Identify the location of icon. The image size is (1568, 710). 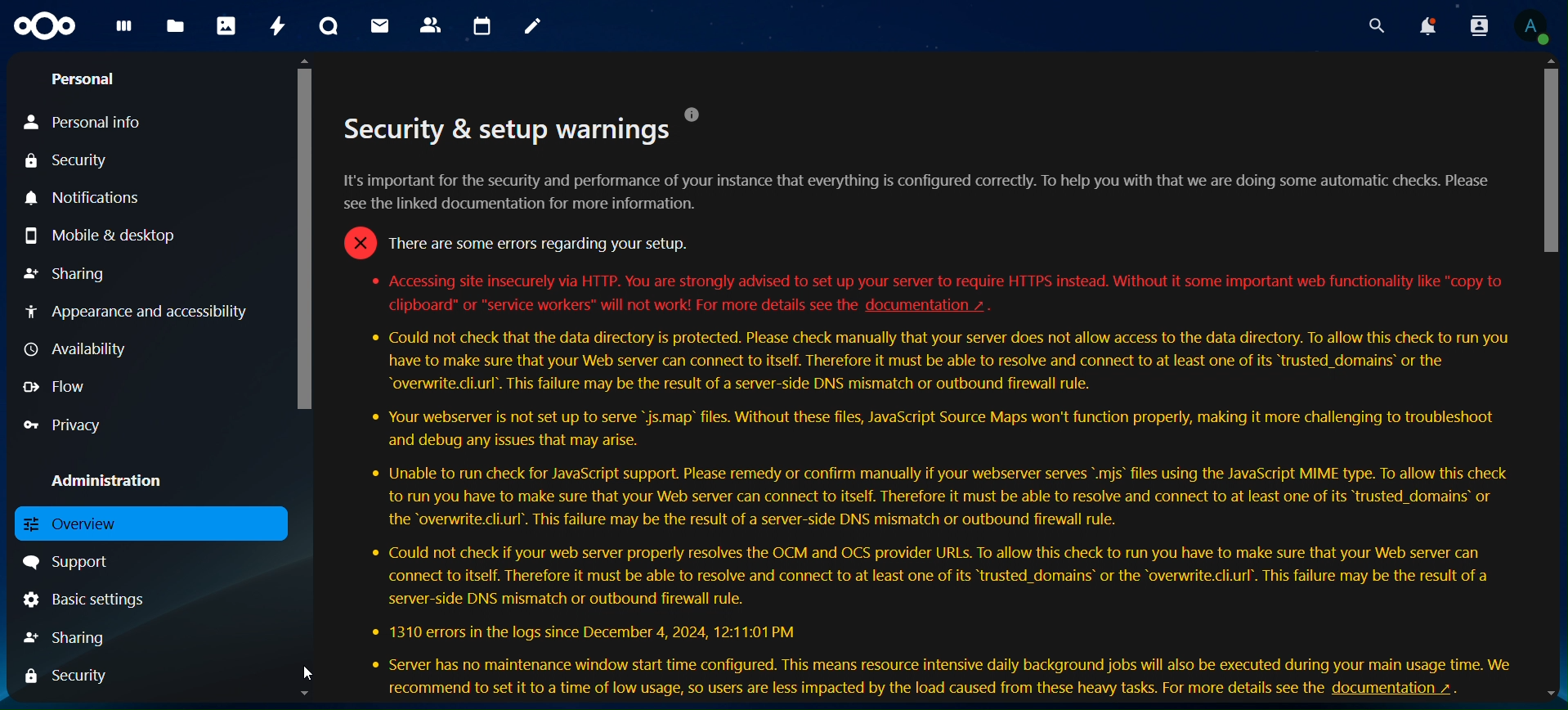
(48, 26).